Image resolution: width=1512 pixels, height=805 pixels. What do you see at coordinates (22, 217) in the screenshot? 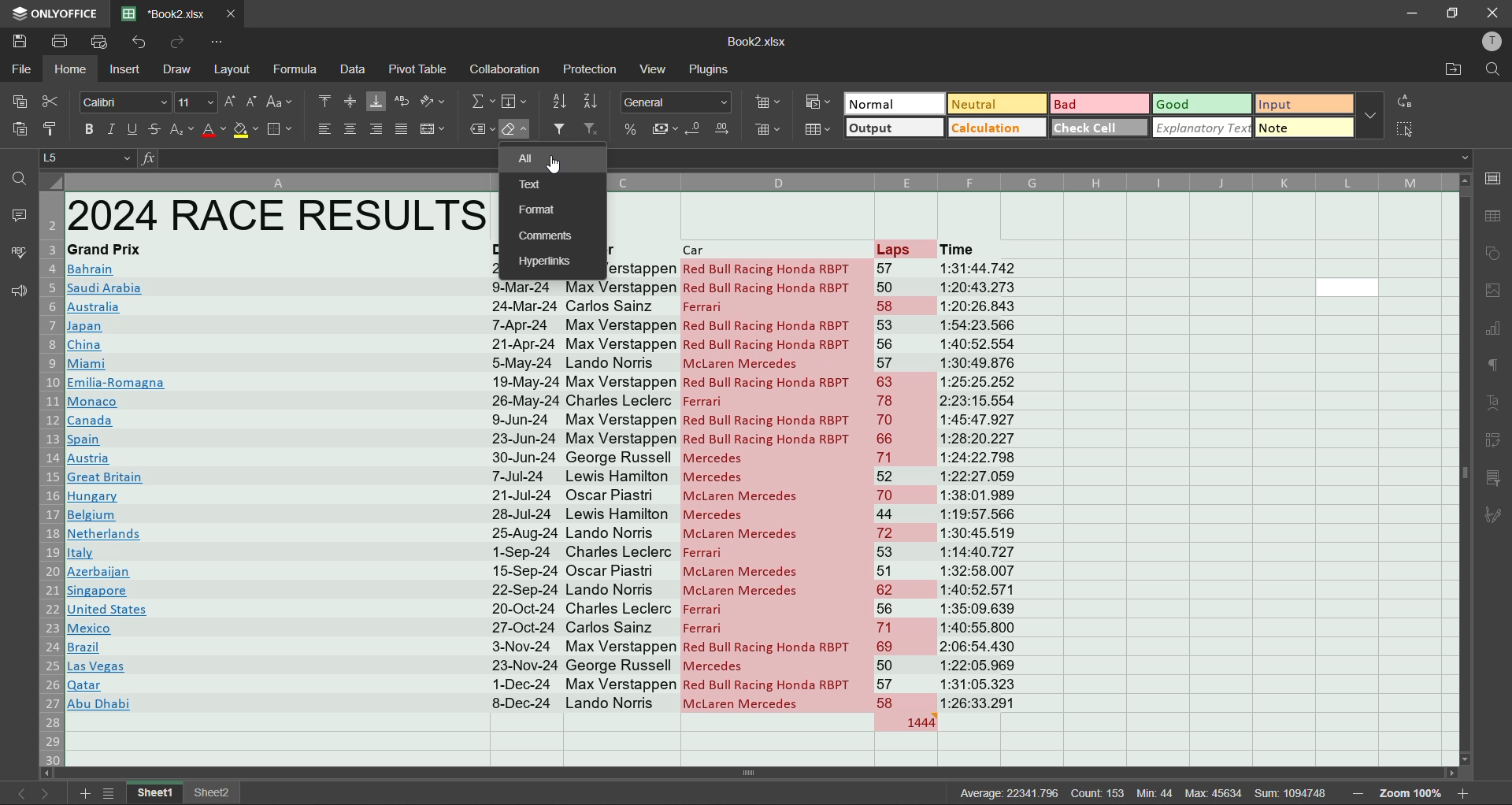
I see `comments` at bounding box center [22, 217].